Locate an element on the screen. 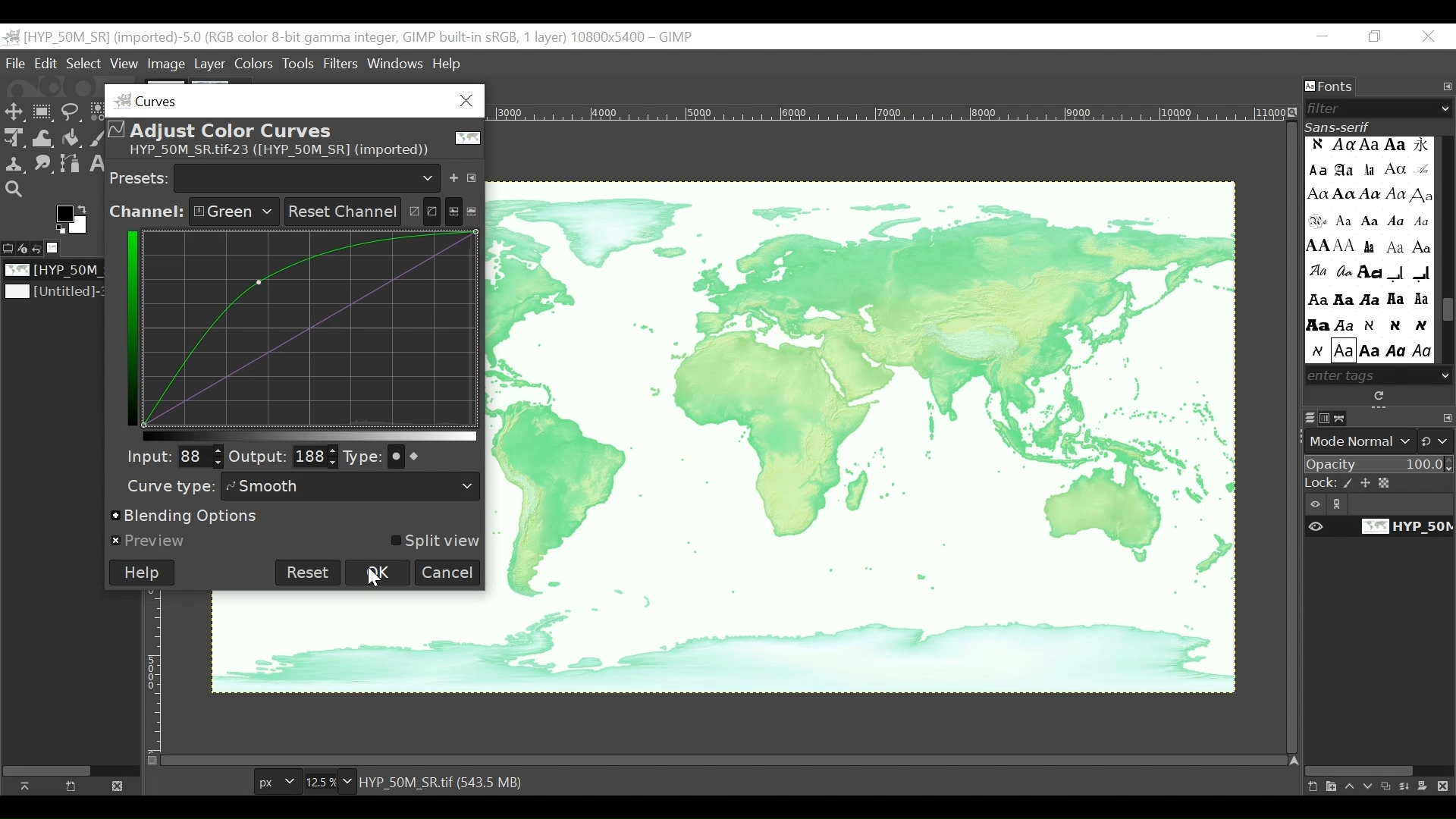 The height and width of the screenshot is (819, 1456). Mode Normal is located at coordinates (1381, 441).